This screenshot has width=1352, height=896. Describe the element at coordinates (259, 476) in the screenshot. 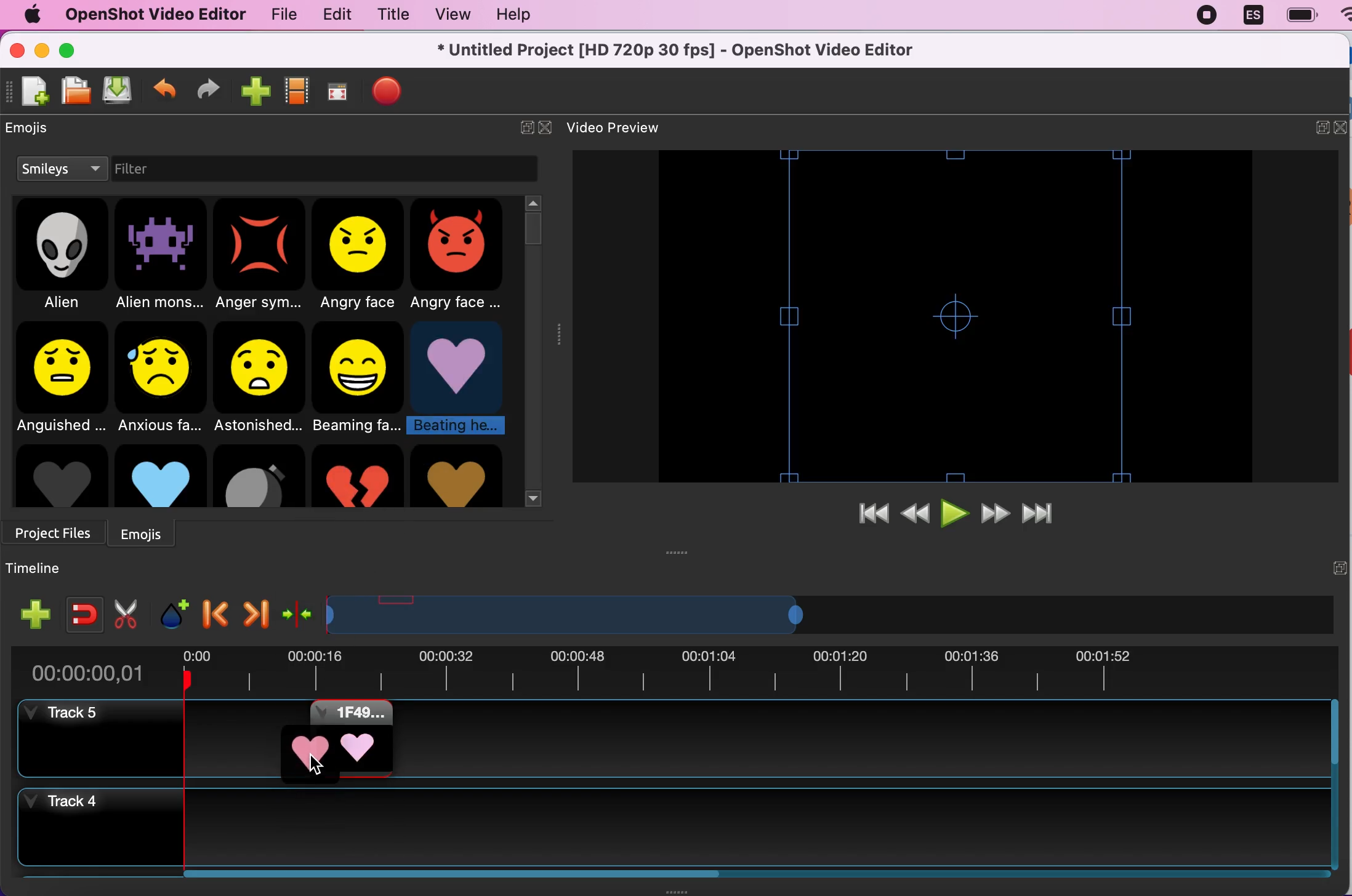

I see `Bomb` at that location.